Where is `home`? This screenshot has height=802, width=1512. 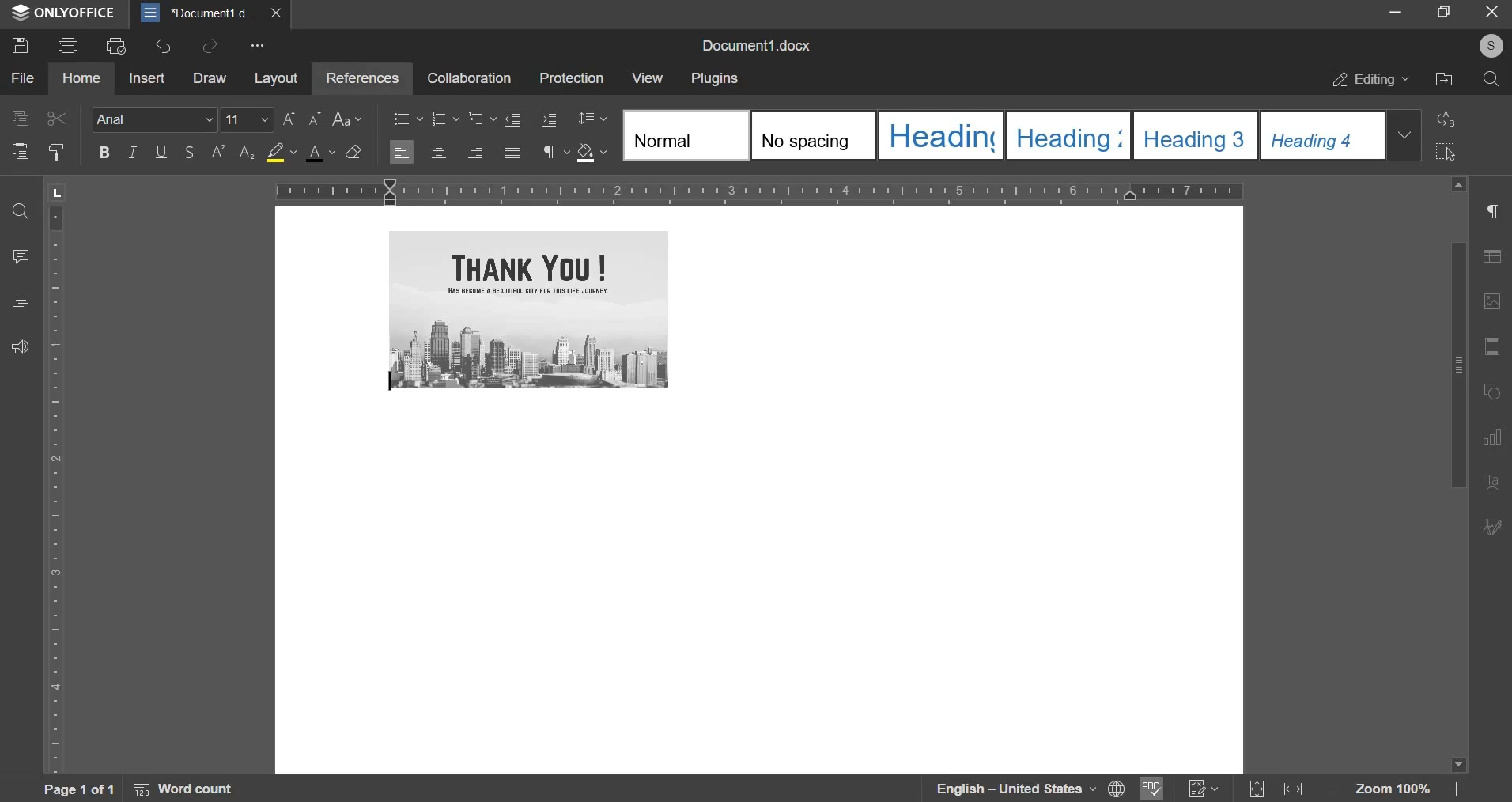
home is located at coordinates (82, 78).